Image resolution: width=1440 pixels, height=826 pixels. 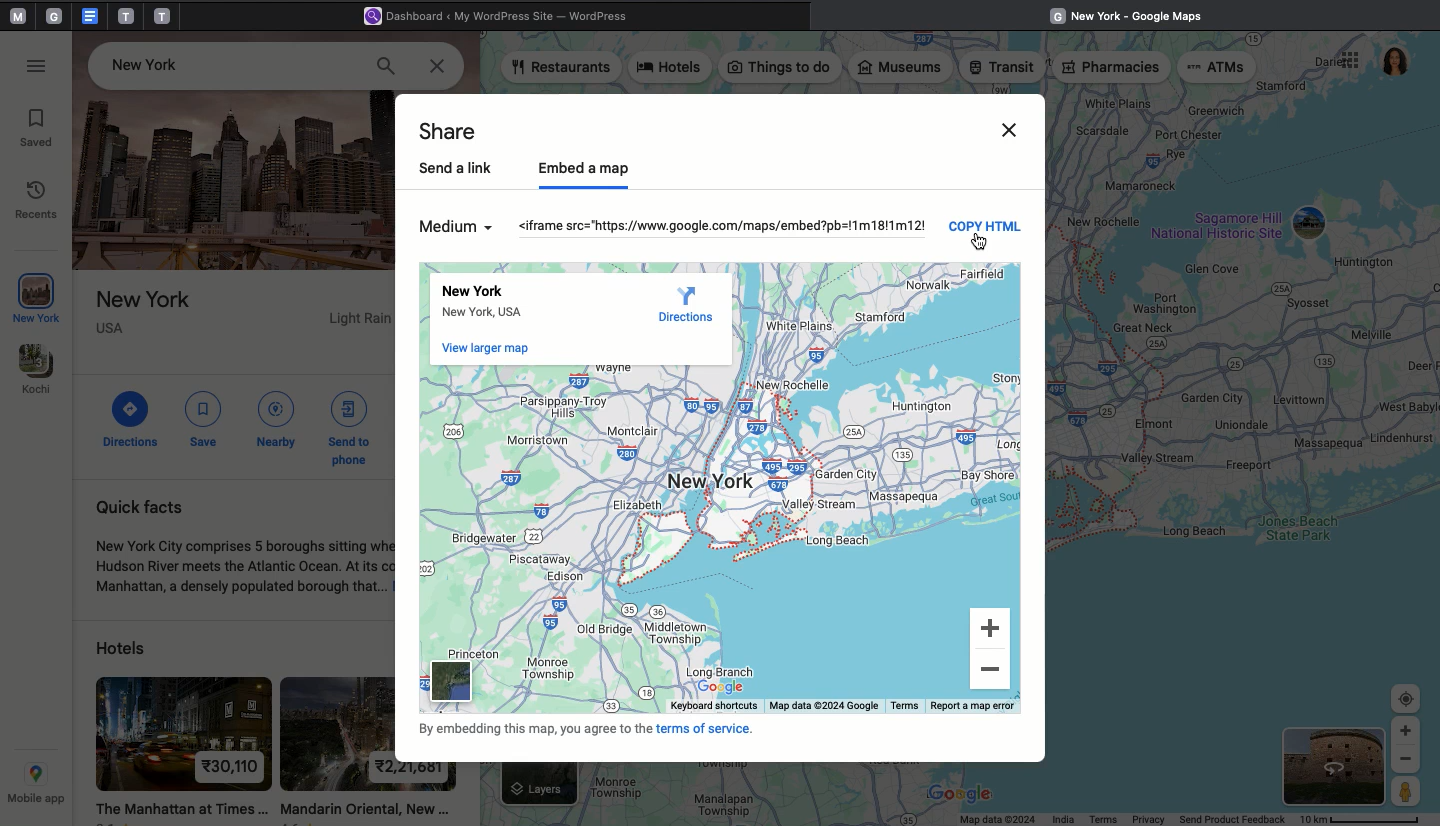 I want to click on Embed a map, so click(x=590, y=169).